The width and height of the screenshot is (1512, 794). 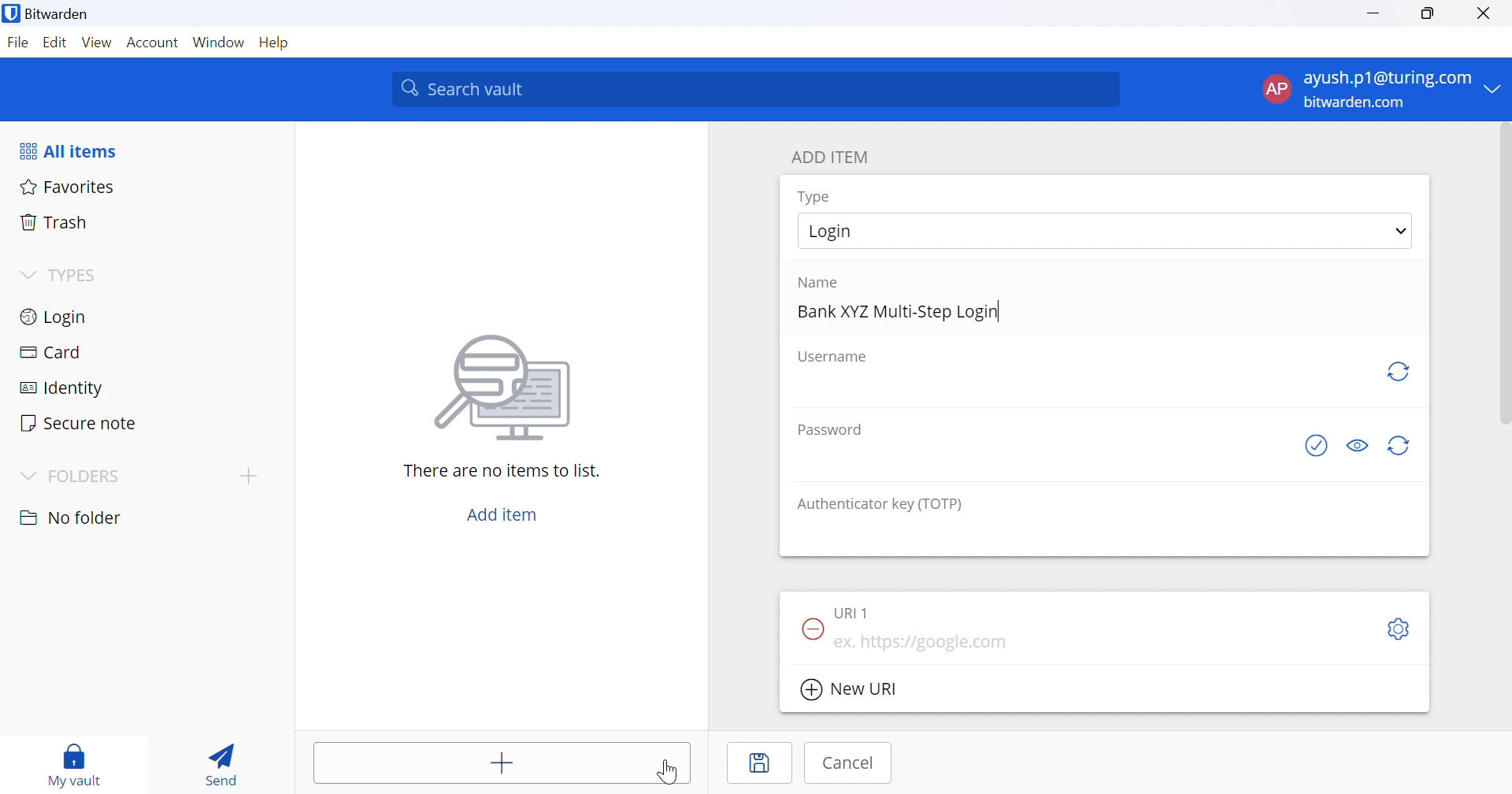 What do you see at coordinates (1354, 102) in the screenshot?
I see `bitwarden.com` at bounding box center [1354, 102].